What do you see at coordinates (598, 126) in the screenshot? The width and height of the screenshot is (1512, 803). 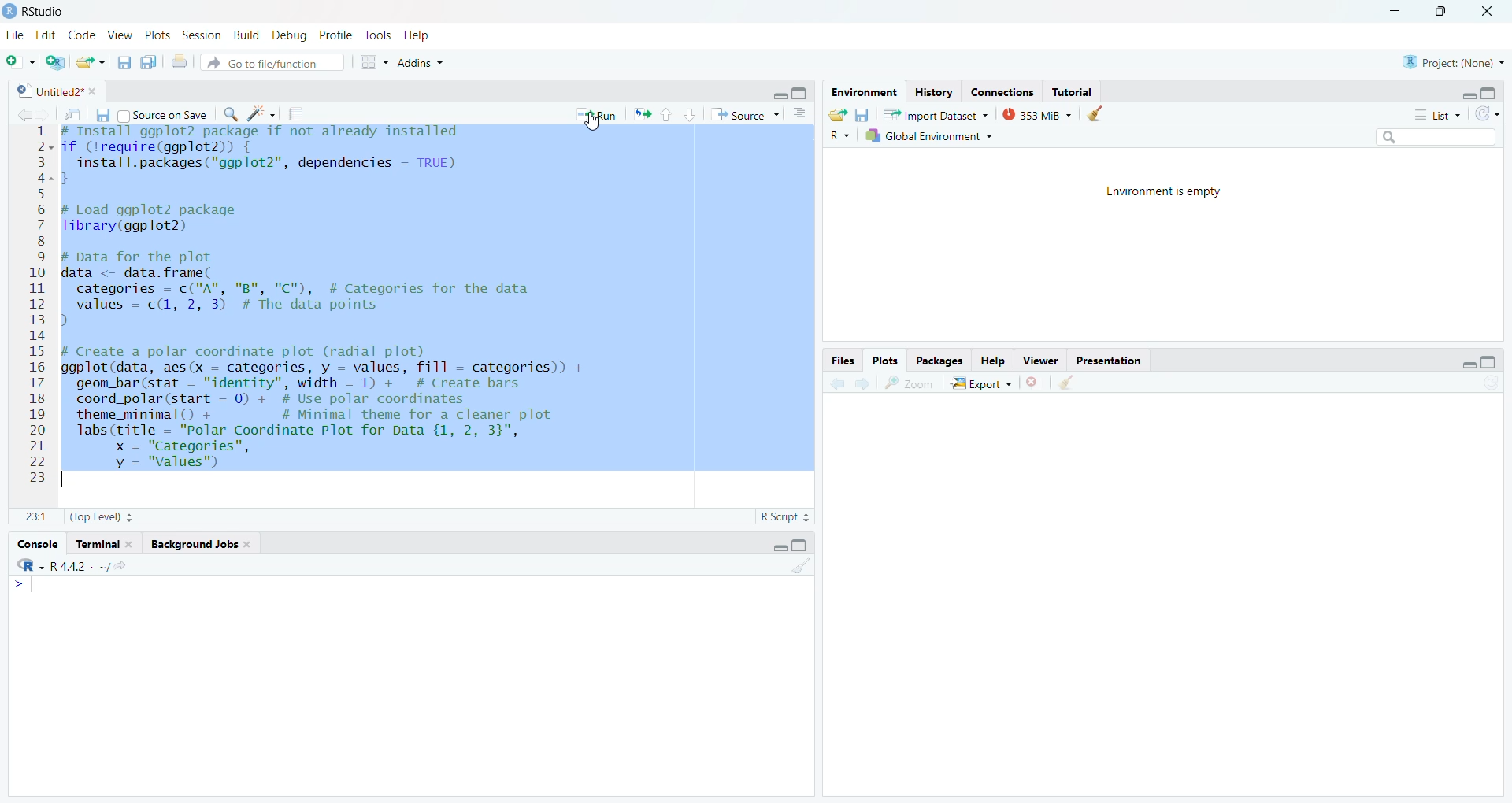 I see `cursor` at bounding box center [598, 126].